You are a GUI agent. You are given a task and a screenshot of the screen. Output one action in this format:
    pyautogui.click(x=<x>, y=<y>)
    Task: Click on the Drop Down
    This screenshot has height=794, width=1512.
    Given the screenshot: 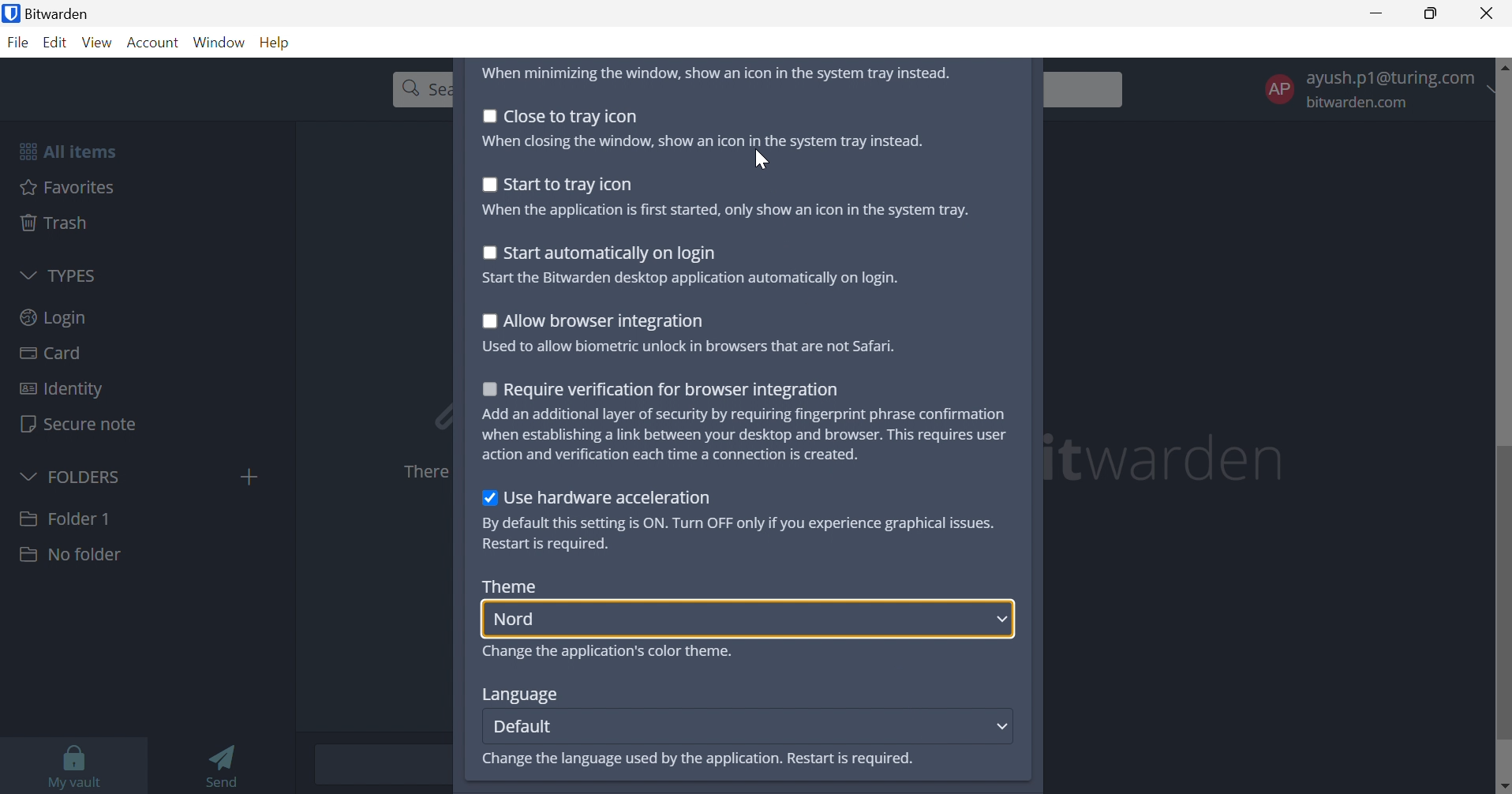 What is the action you would take?
    pyautogui.click(x=1003, y=725)
    